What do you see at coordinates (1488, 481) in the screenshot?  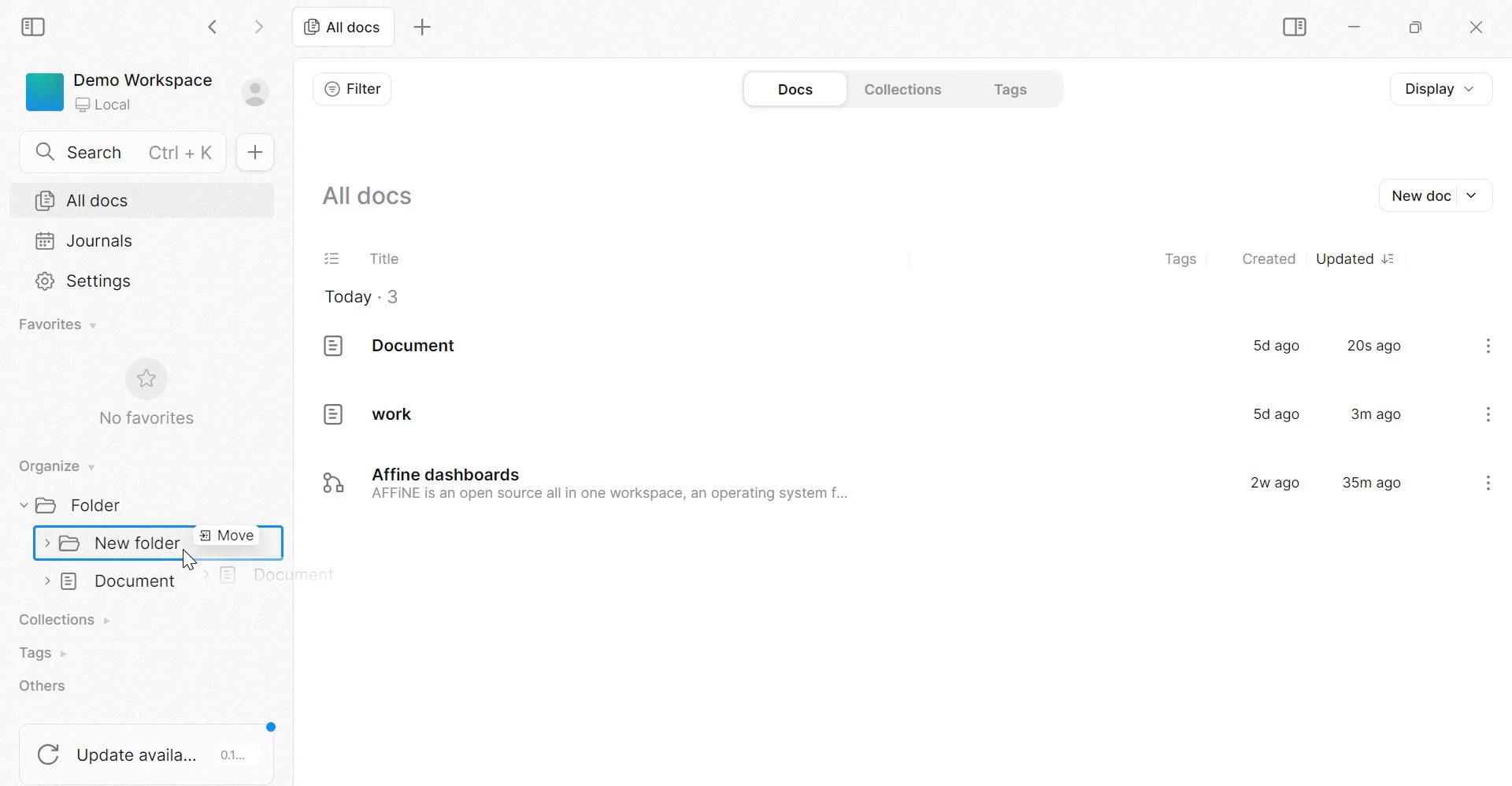 I see `kebab menu` at bounding box center [1488, 481].